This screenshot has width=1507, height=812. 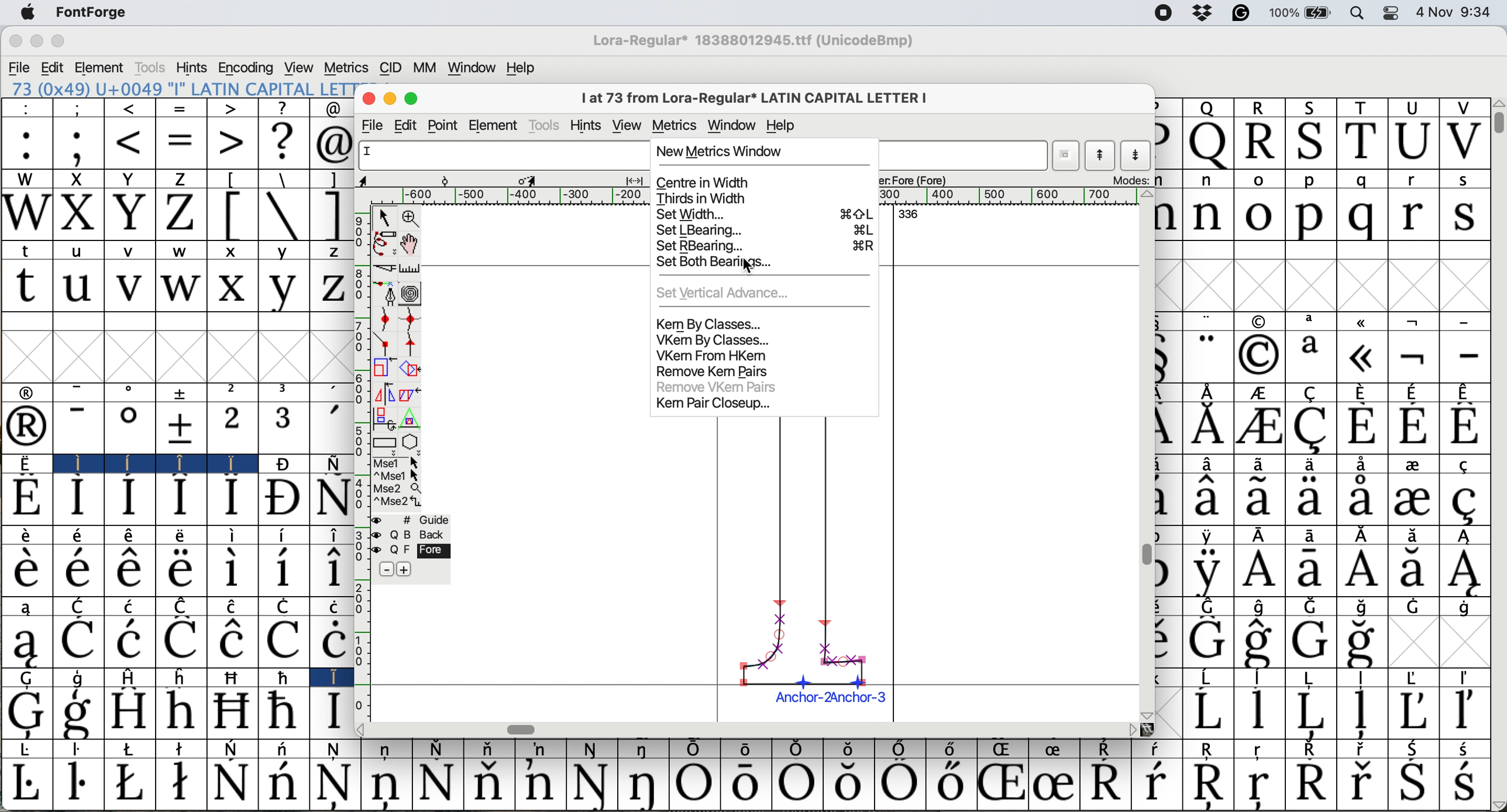 What do you see at coordinates (132, 462) in the screenshot?
I see `Symbol` at bounding box center [132, 462].